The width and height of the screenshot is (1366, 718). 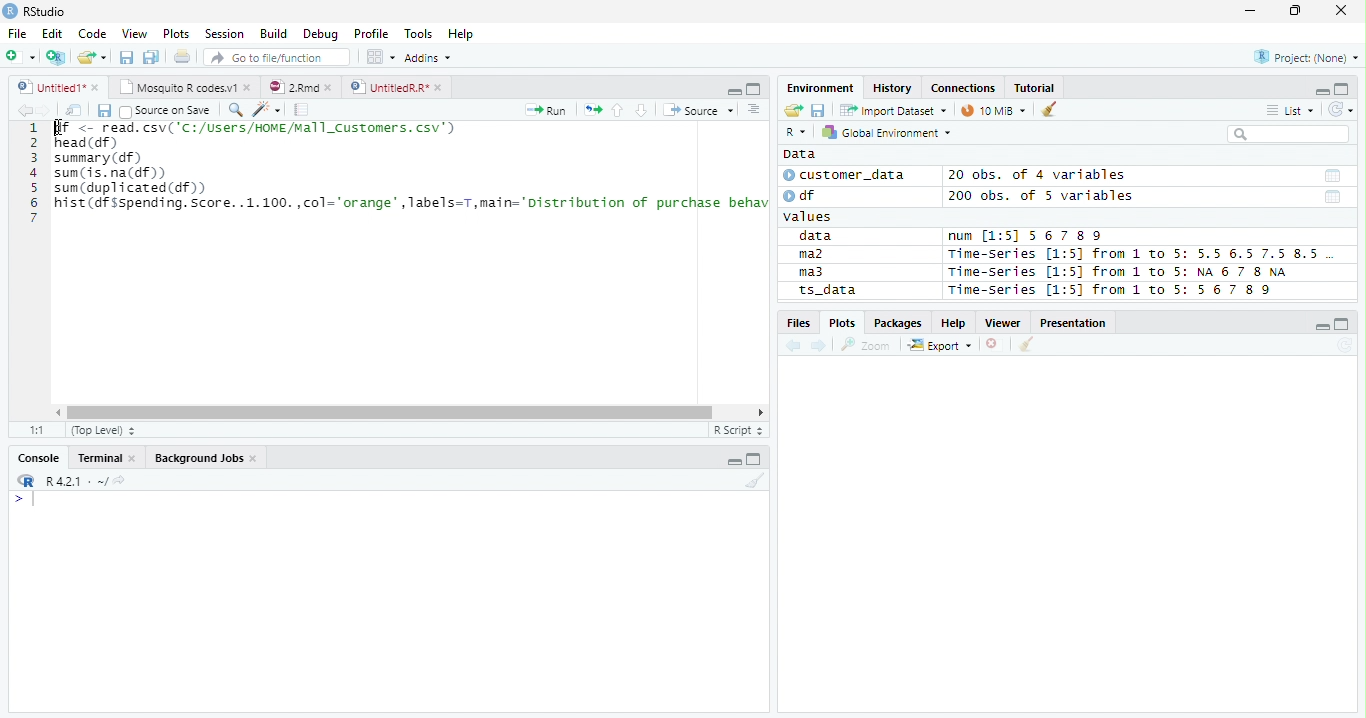 I want to click on ts_data, so click(x=855, y=293).